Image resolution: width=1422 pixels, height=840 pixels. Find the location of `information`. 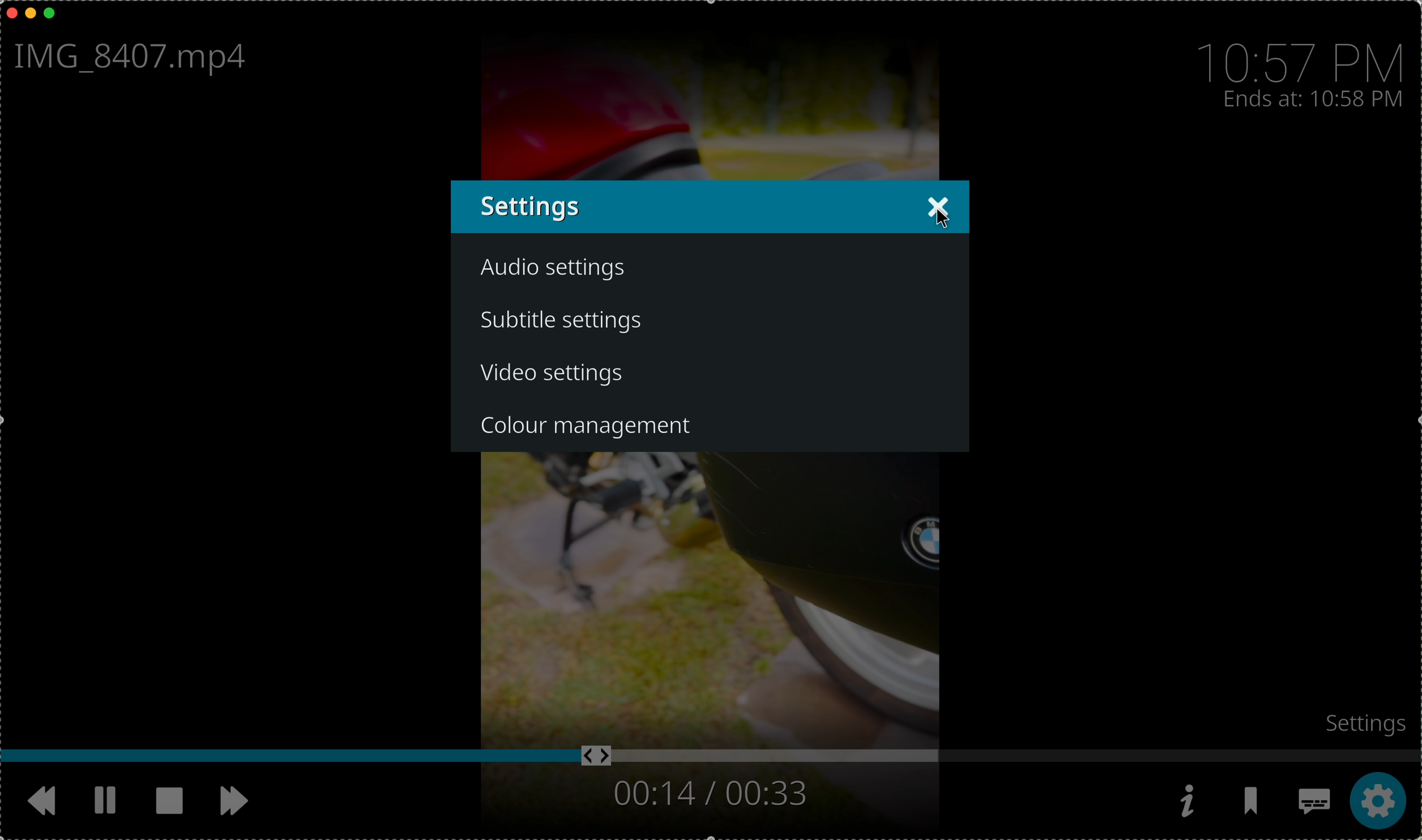

information is located at coordinates (1185, 801).